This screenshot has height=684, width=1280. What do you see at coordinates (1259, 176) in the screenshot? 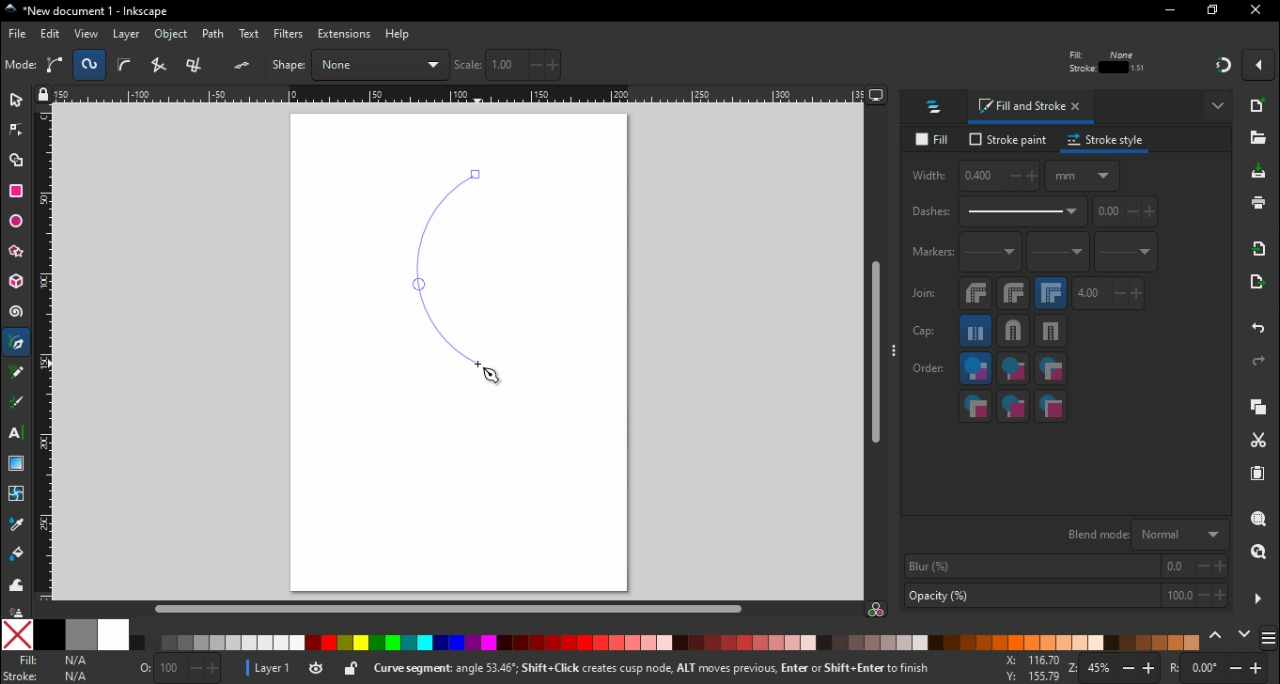
I see `save` at bounding box center [1259, 176].